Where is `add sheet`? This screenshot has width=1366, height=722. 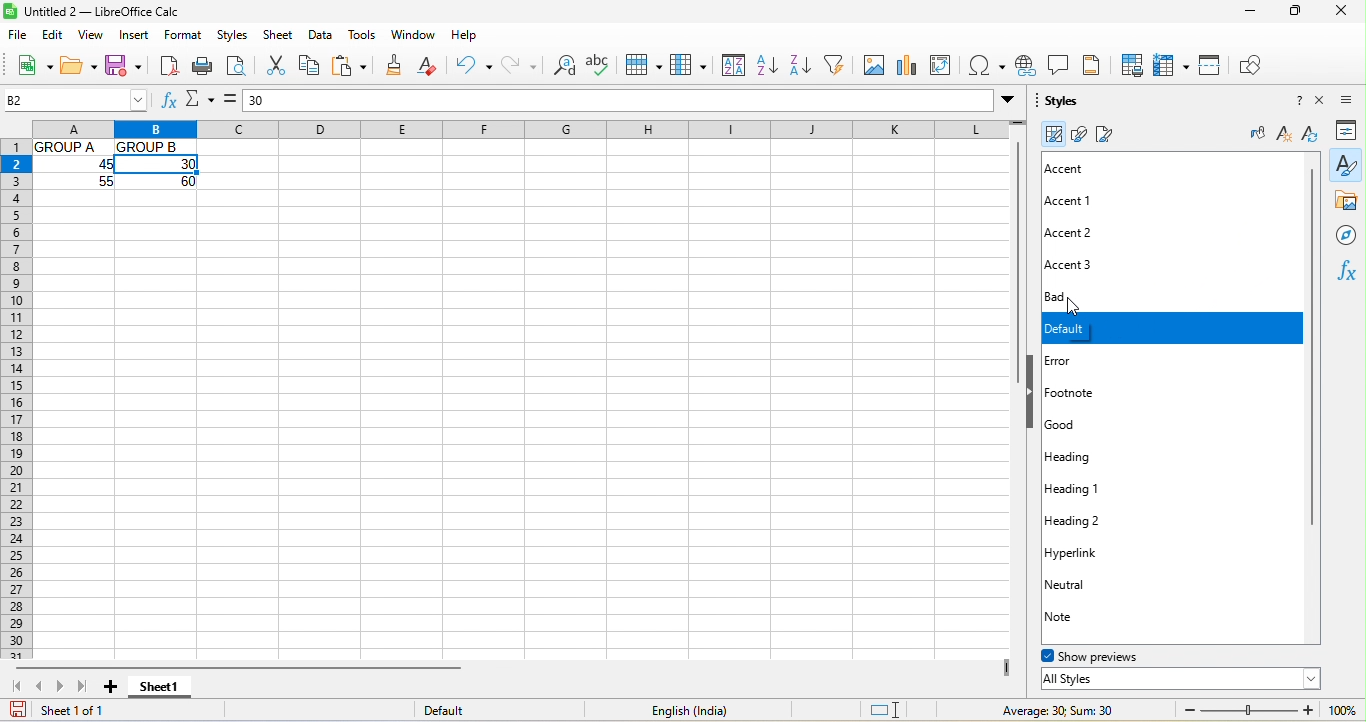 add sheet is located at coordinates (111, 686).